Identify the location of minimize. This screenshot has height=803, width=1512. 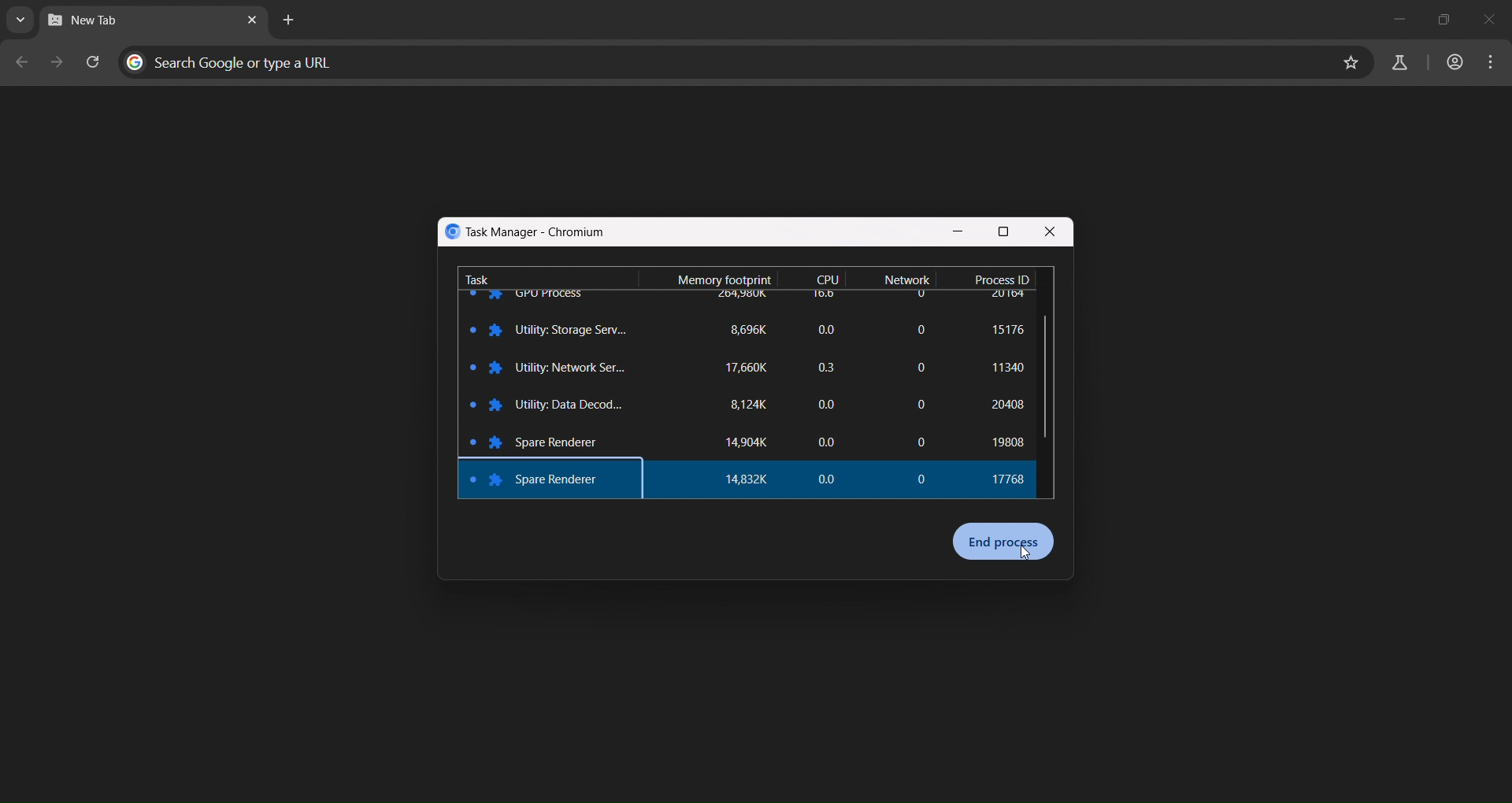
(1389, 15).